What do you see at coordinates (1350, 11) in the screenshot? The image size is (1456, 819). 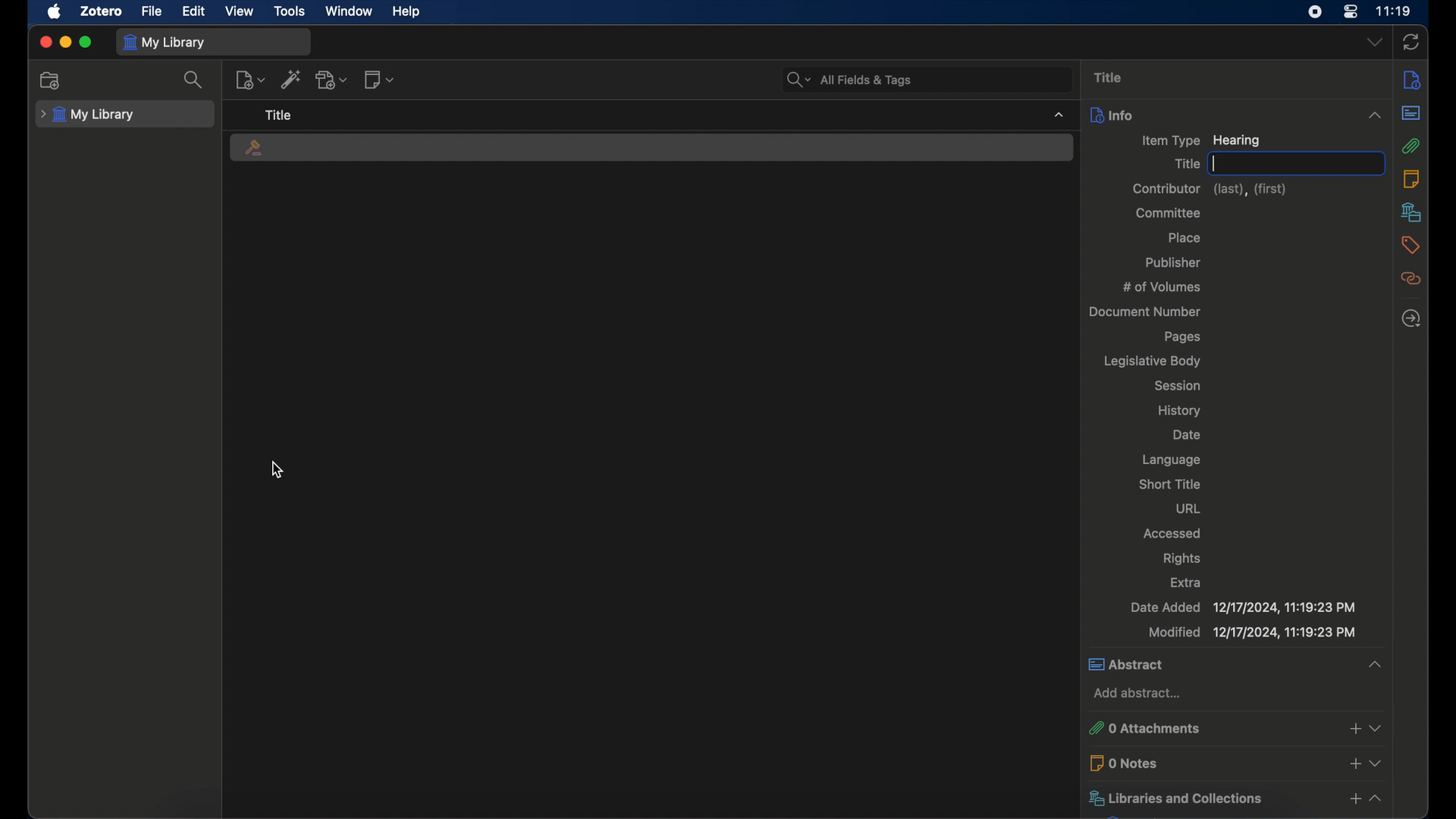 I see `control center` at bounding box center [1350, 11].